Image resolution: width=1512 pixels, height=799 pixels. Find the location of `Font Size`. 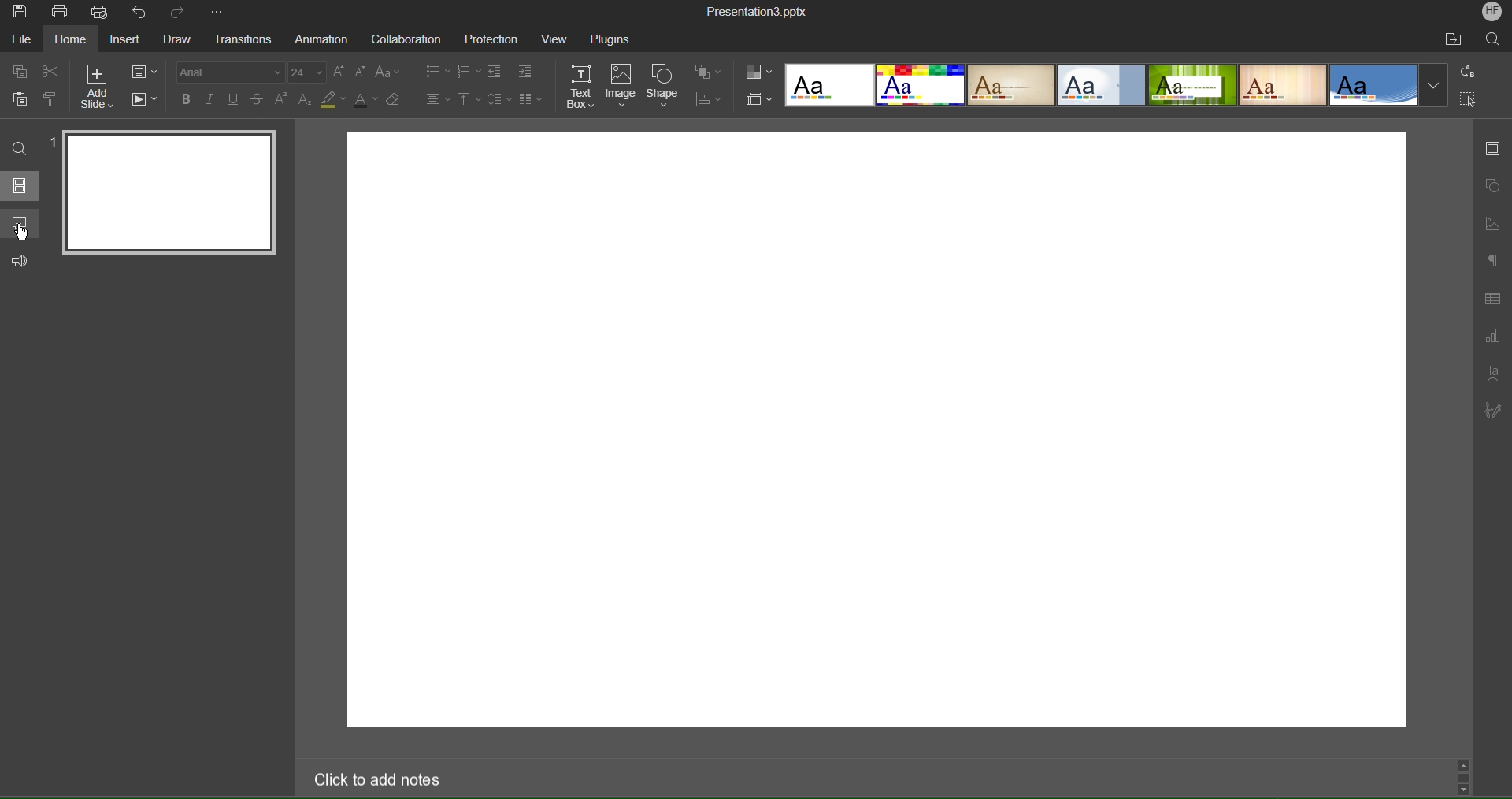

Font Size is located at coordinates (308, 73).